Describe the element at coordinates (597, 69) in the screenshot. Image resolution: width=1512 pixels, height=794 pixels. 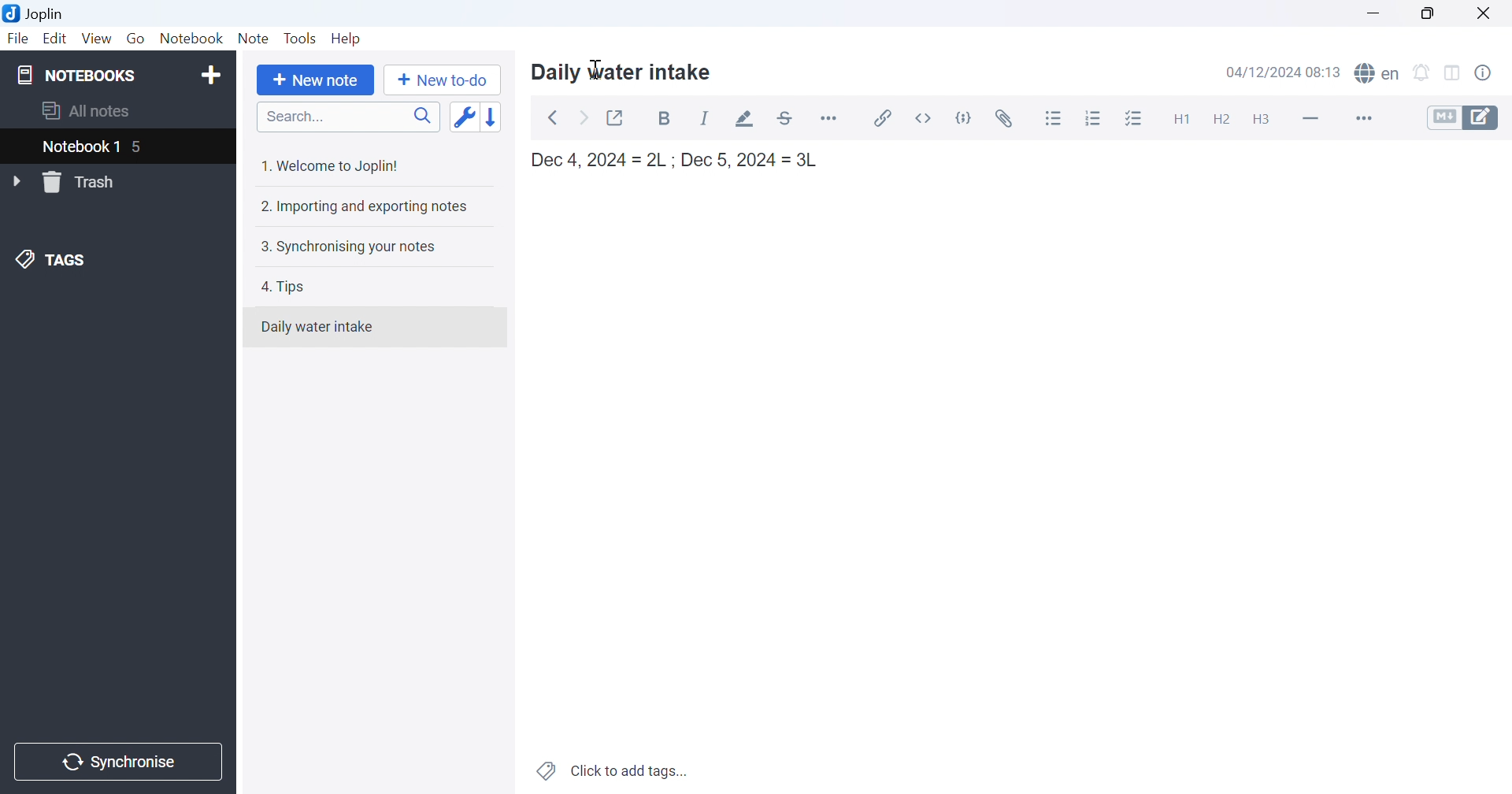
I see `cursor` at that location.